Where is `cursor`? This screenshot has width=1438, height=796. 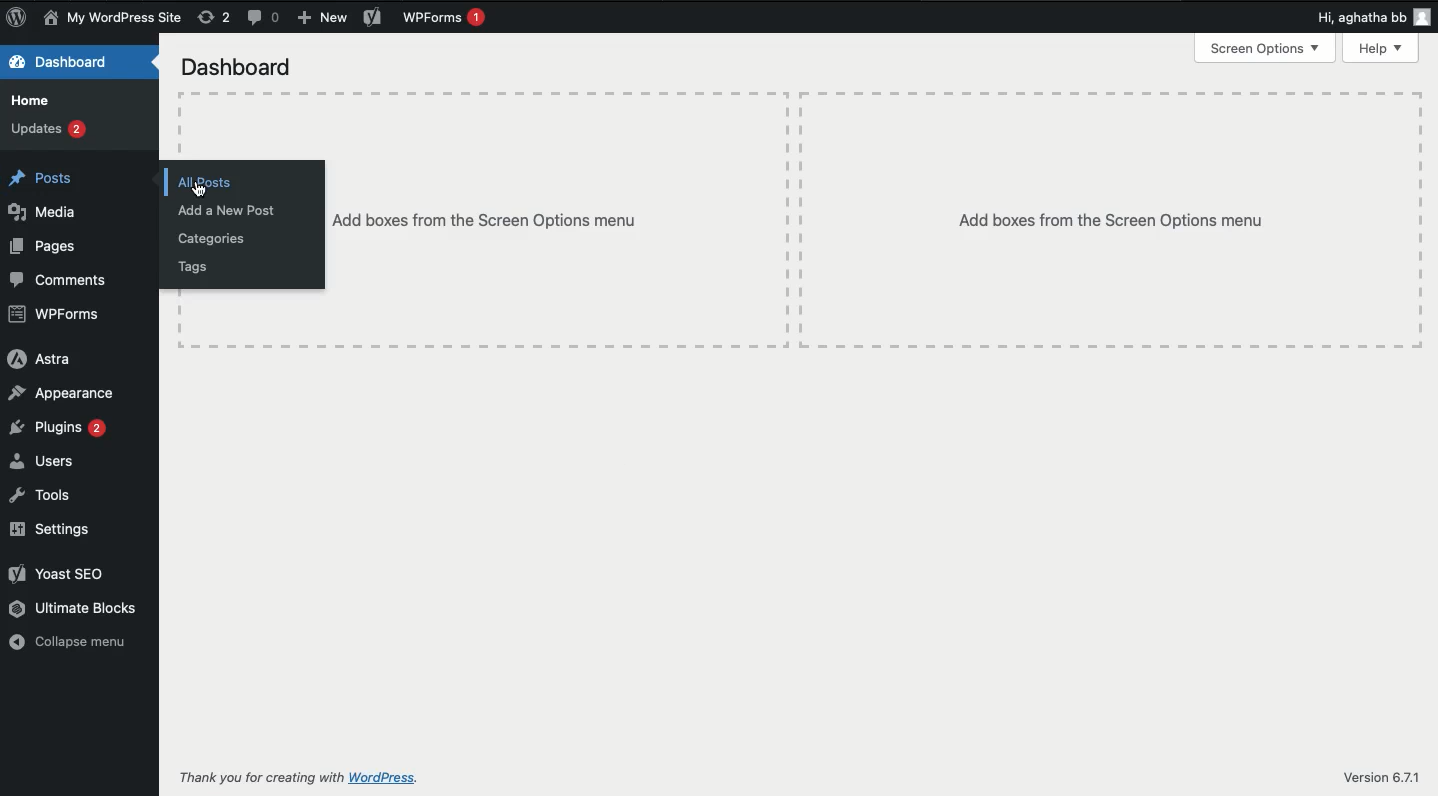
cursor is located at coordinates (198, 186).